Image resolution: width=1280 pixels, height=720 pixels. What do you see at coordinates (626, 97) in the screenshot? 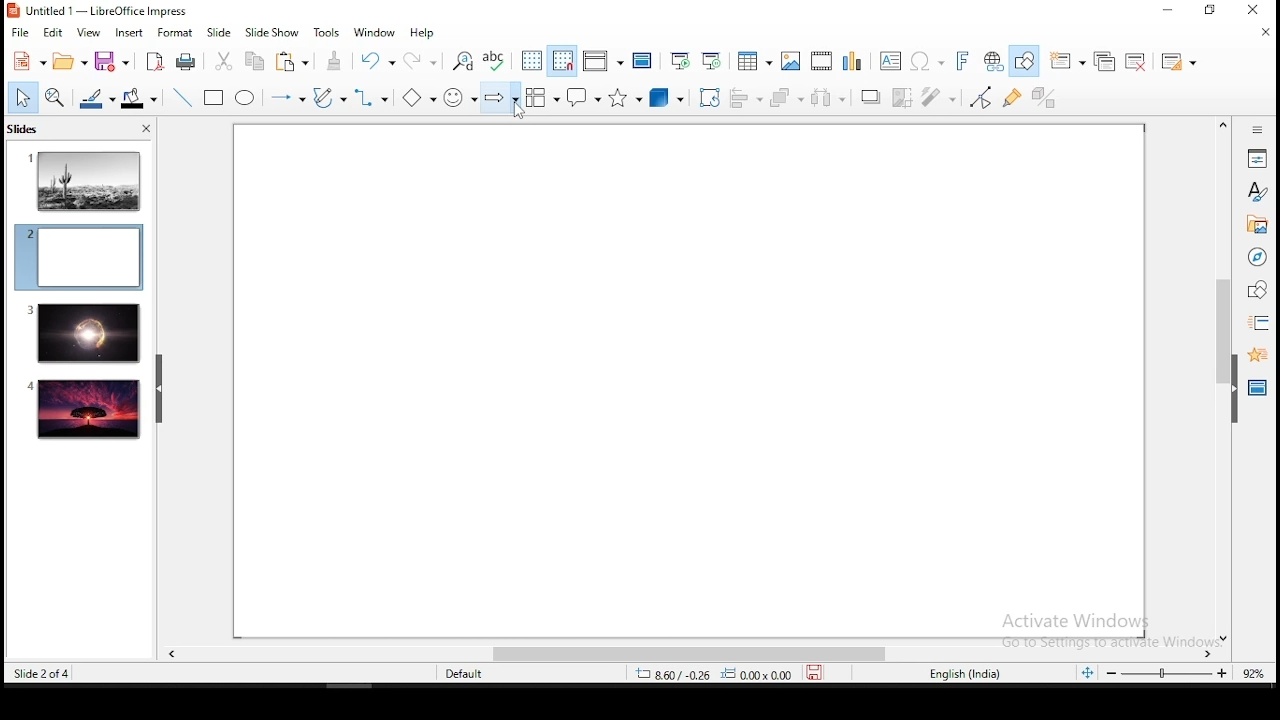
I see `stars and banners` at bounding box center [626, 97].